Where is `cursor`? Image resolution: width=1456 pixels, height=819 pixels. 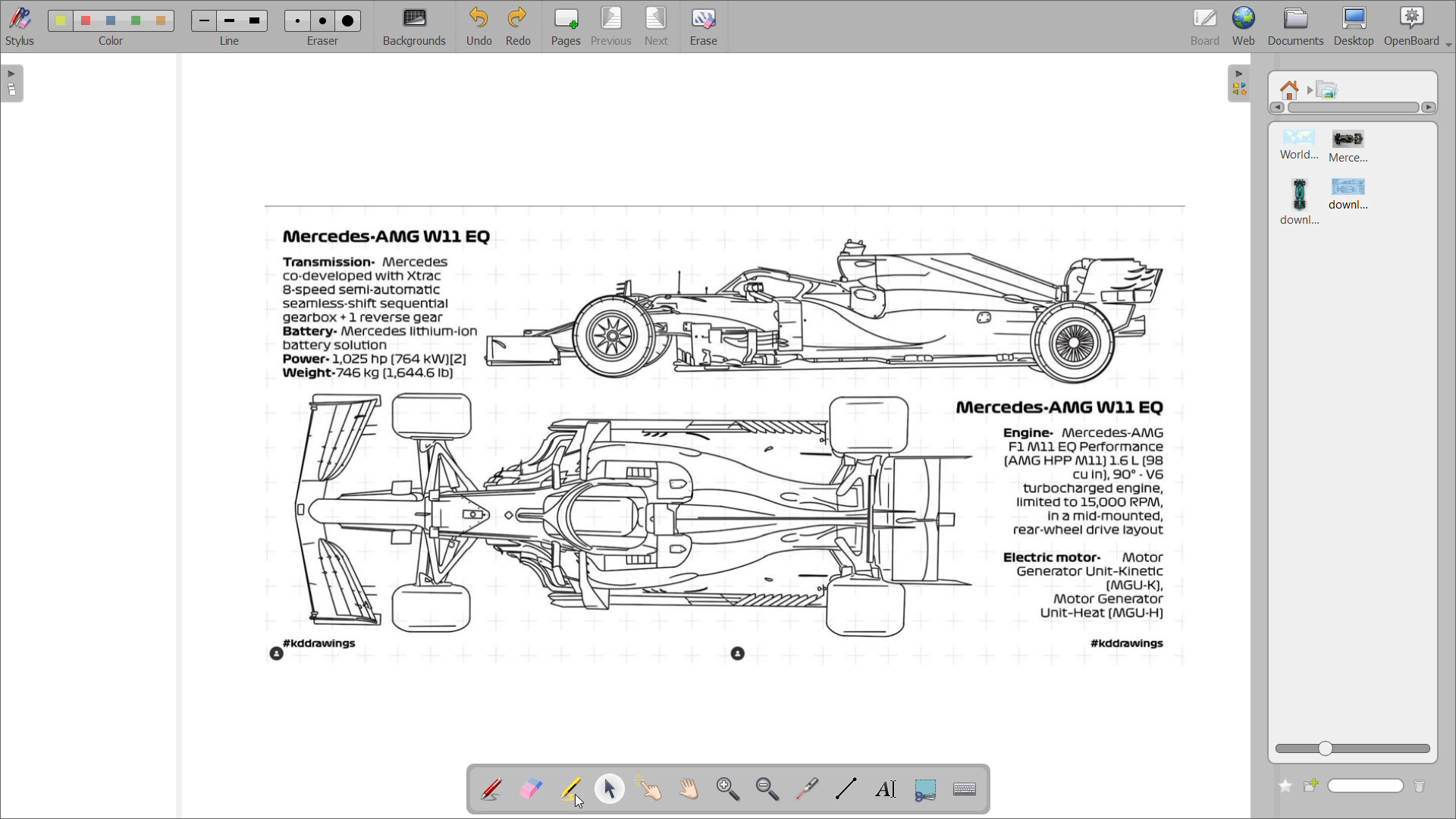
cursor is located at coordinates (582, 802).